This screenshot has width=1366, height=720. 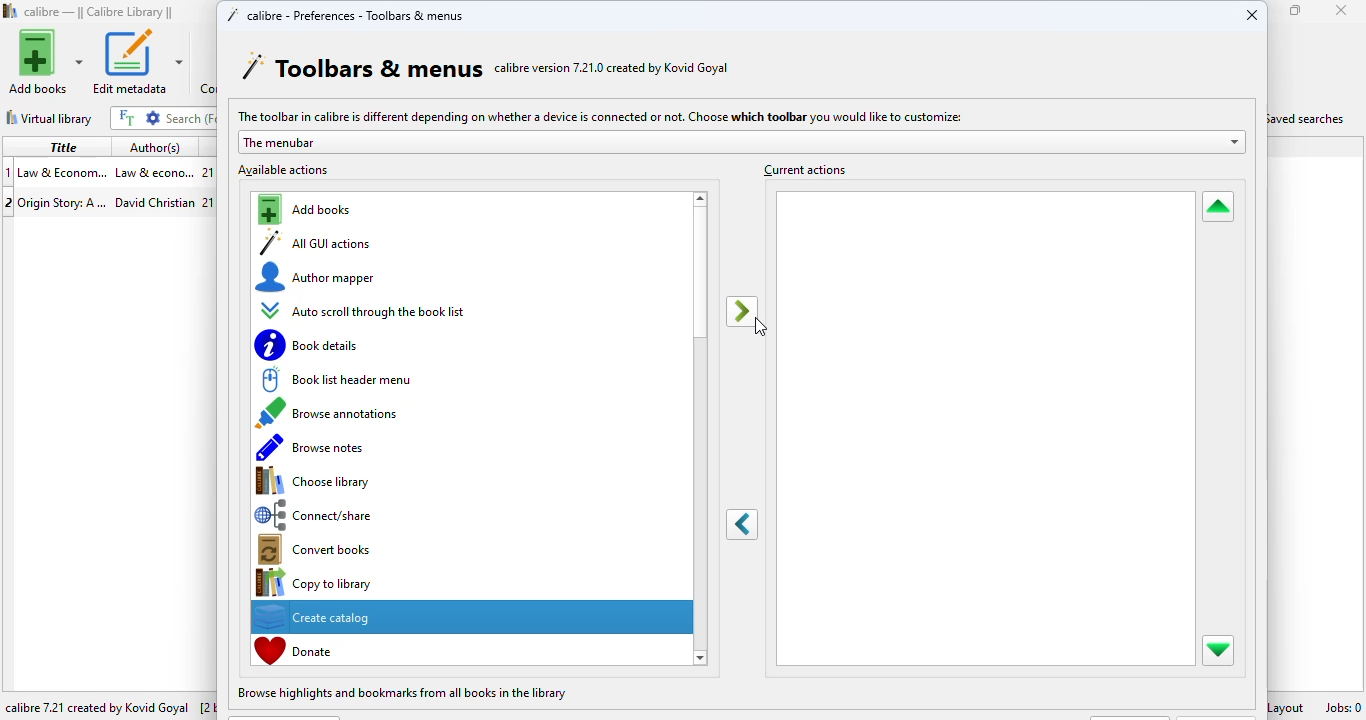 I want to click on calibre version 7.21.0 created by Kovid Goyal, so click(x=612, y=67).